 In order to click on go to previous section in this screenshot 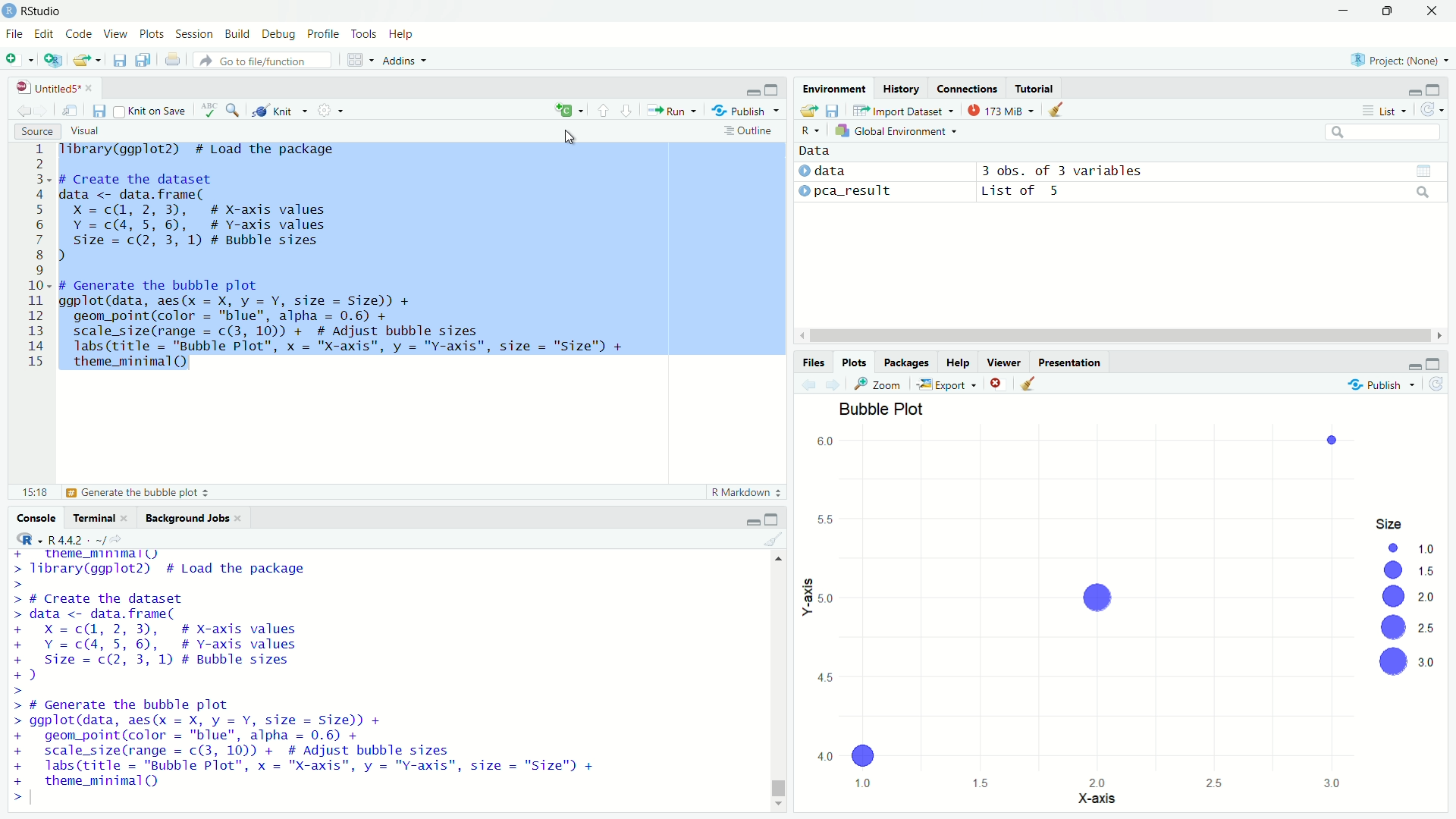, I will do `click(604, 110)`.